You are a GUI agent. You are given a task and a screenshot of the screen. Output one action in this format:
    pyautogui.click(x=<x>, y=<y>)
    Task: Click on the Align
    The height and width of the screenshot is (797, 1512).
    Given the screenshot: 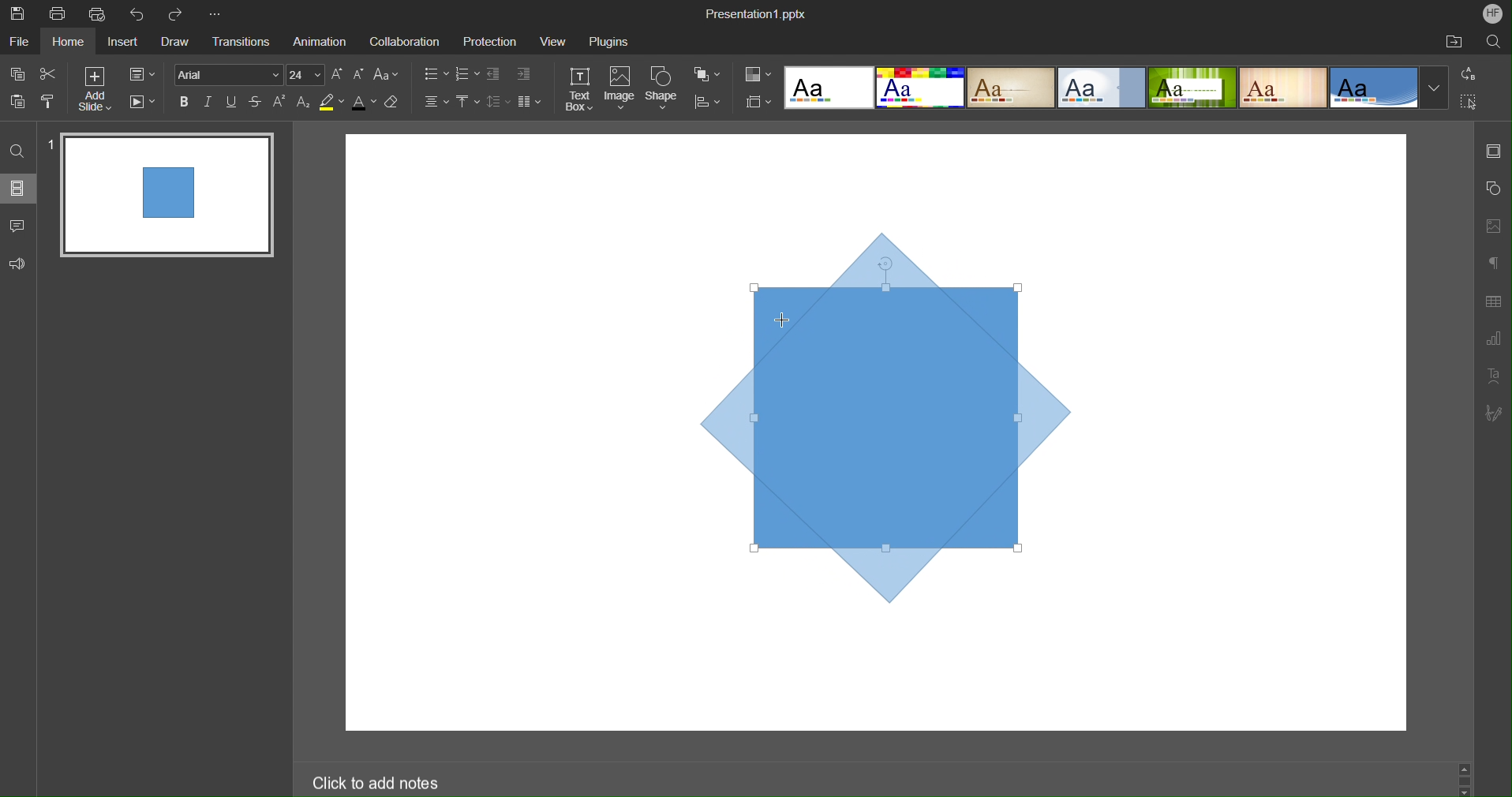 What is the action you would take?
    pyautogui.click(x=709, y=102)
    